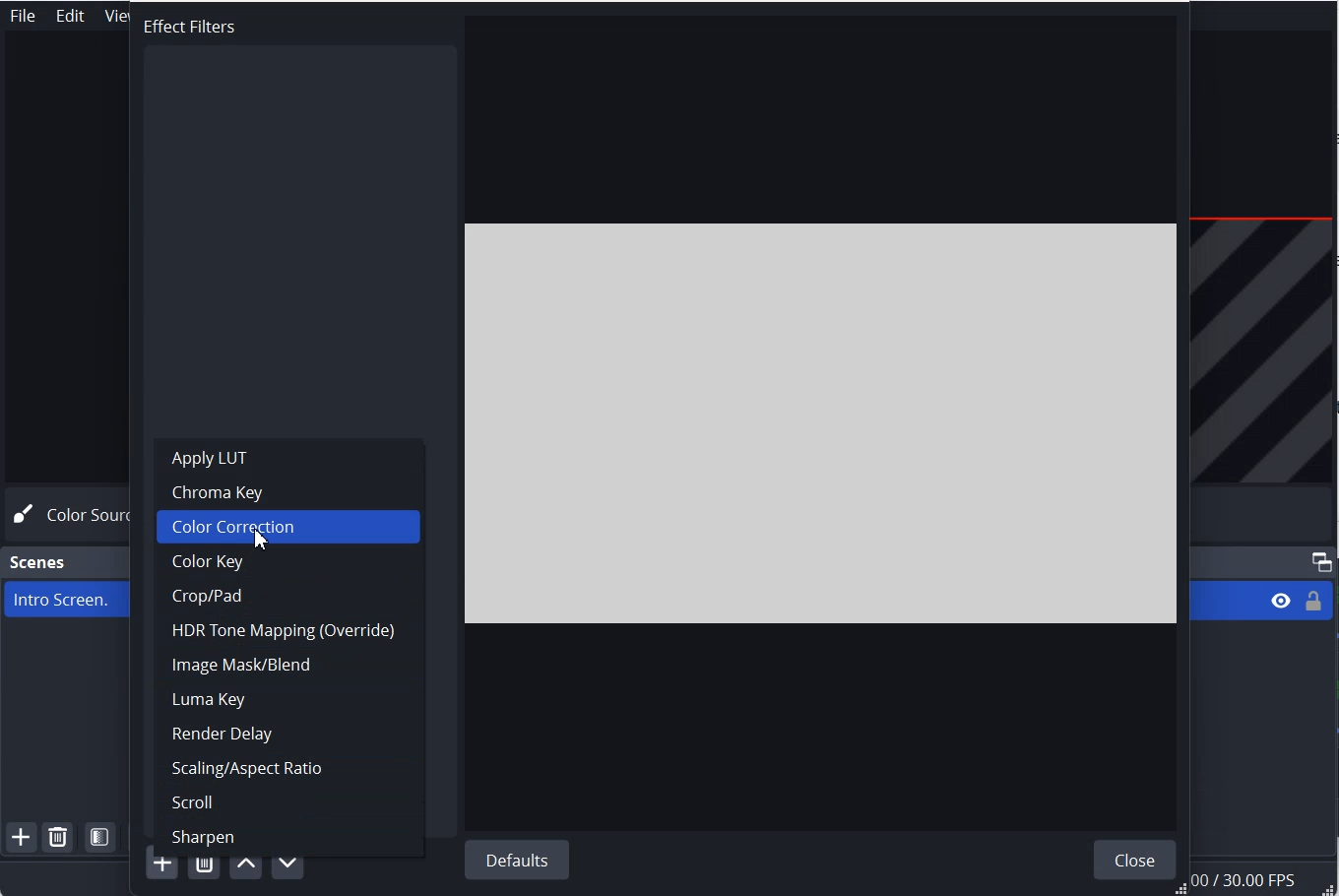  I want to click on Eye, so click(1281, 601).